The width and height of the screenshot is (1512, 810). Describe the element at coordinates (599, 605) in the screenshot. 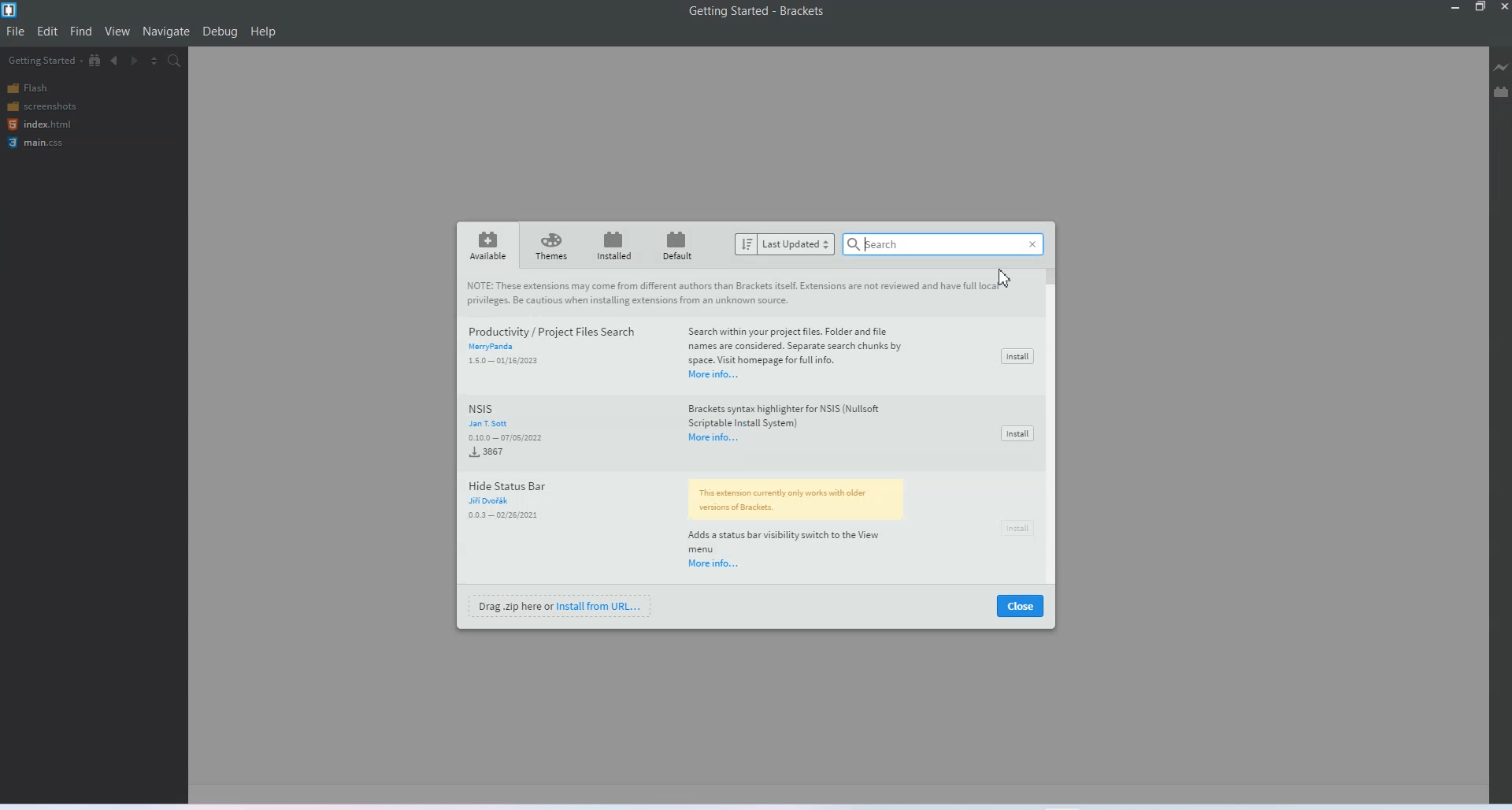

I see `install from U R L` at that location.